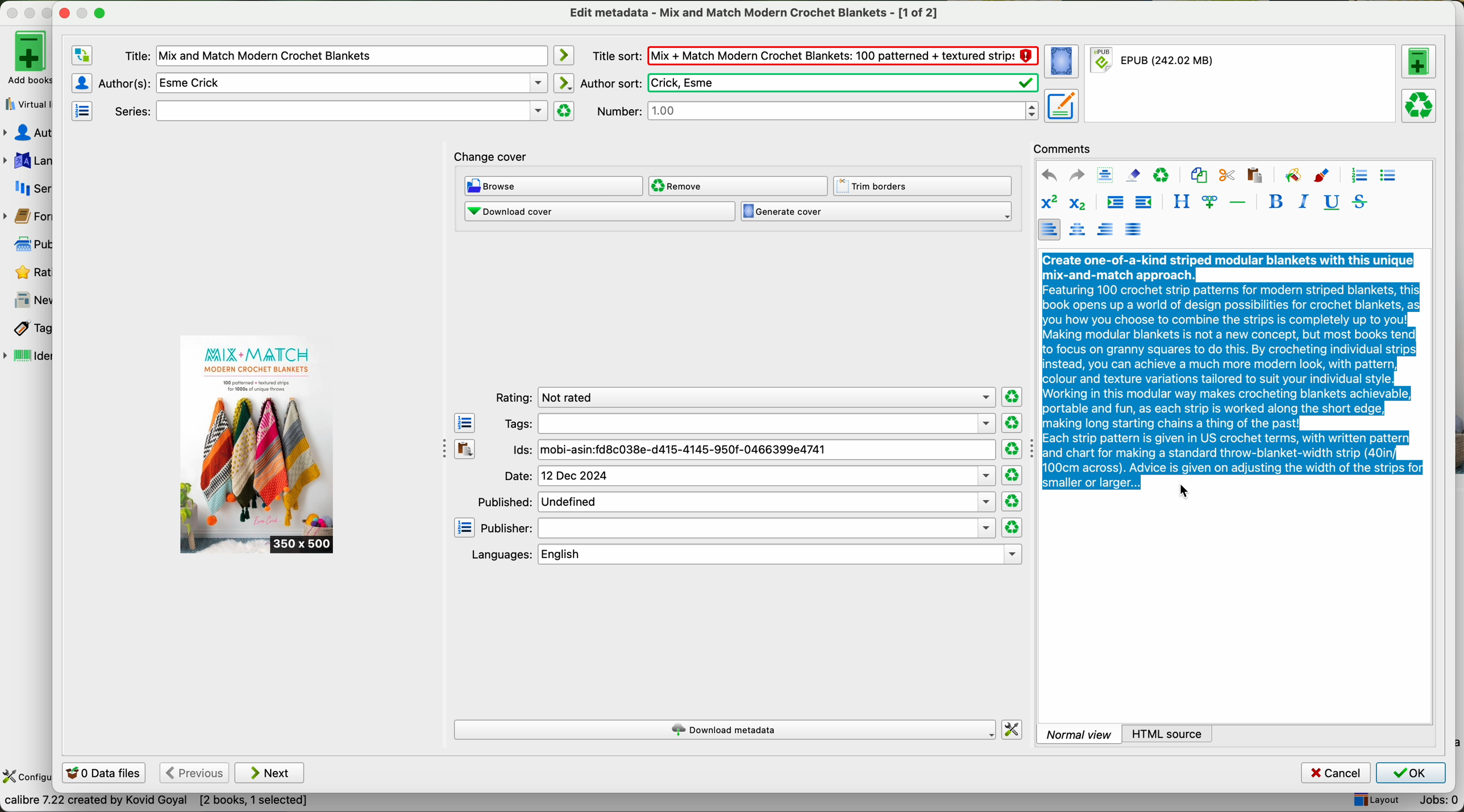 This screenshot has height=812, width=1464. Describe the element at coordinates (193, 773) in the screenshot. I see `previous` at that location.